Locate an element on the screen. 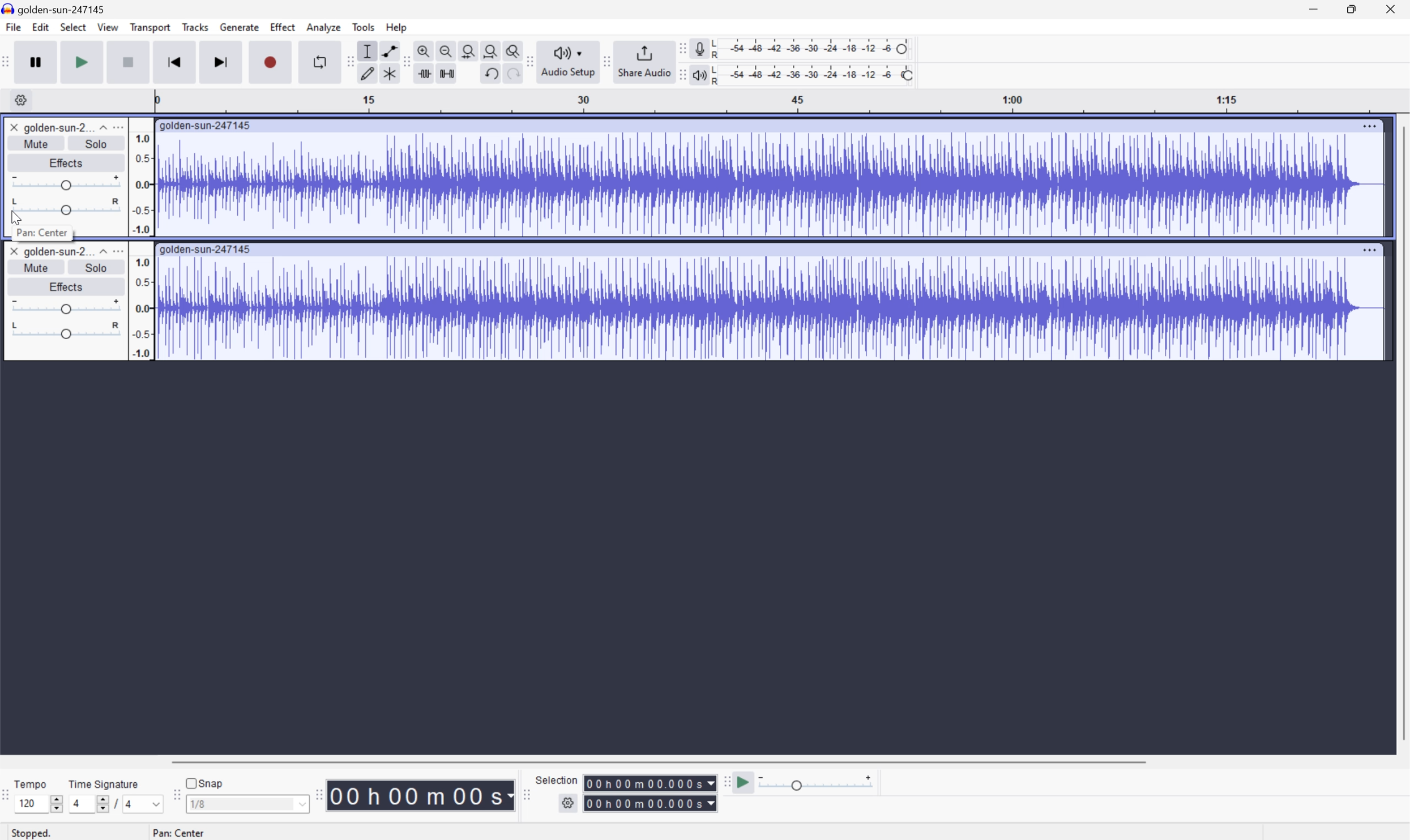 Image resolution: width=1410 pixels, height=840 pixels. Fit project to width is located at coordinates (488, 49).